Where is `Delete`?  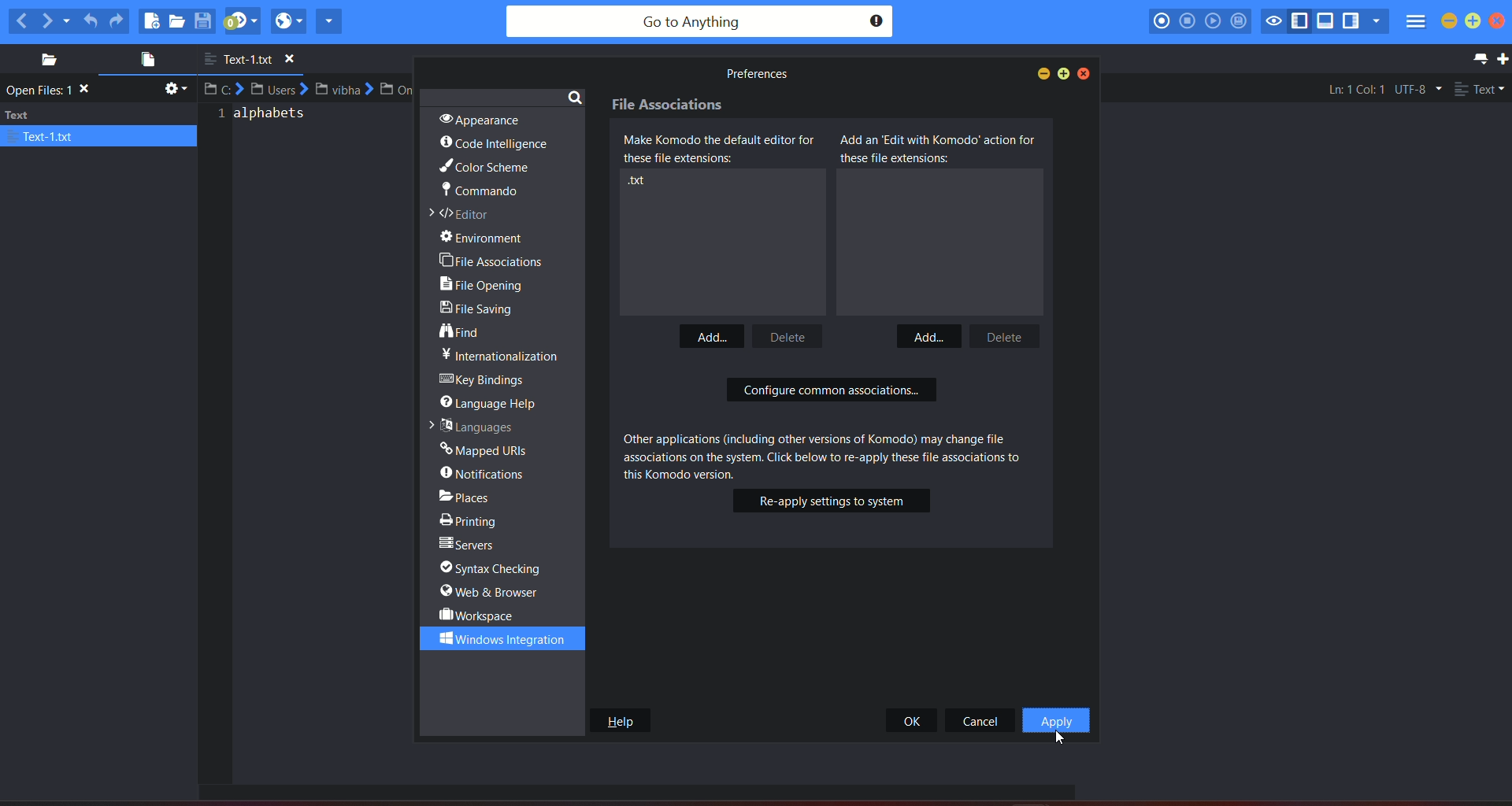 Delete is located at coordinates (790, 335).